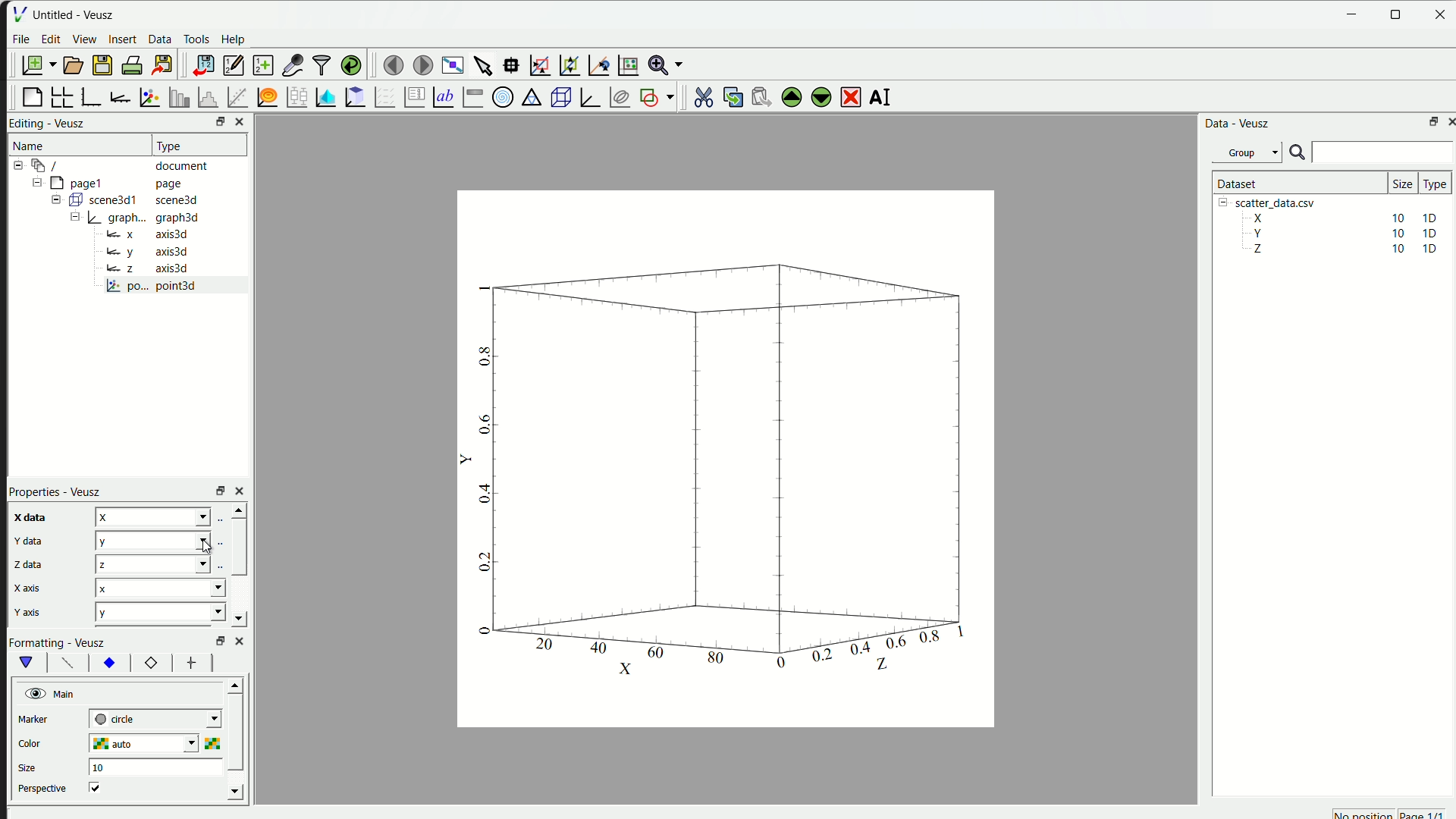 The height and width of the screenshot is (819, 1456). What do you see at coordinates (233, 38) in the screenshot?
I see `Help` at bounding box center [233, 38].